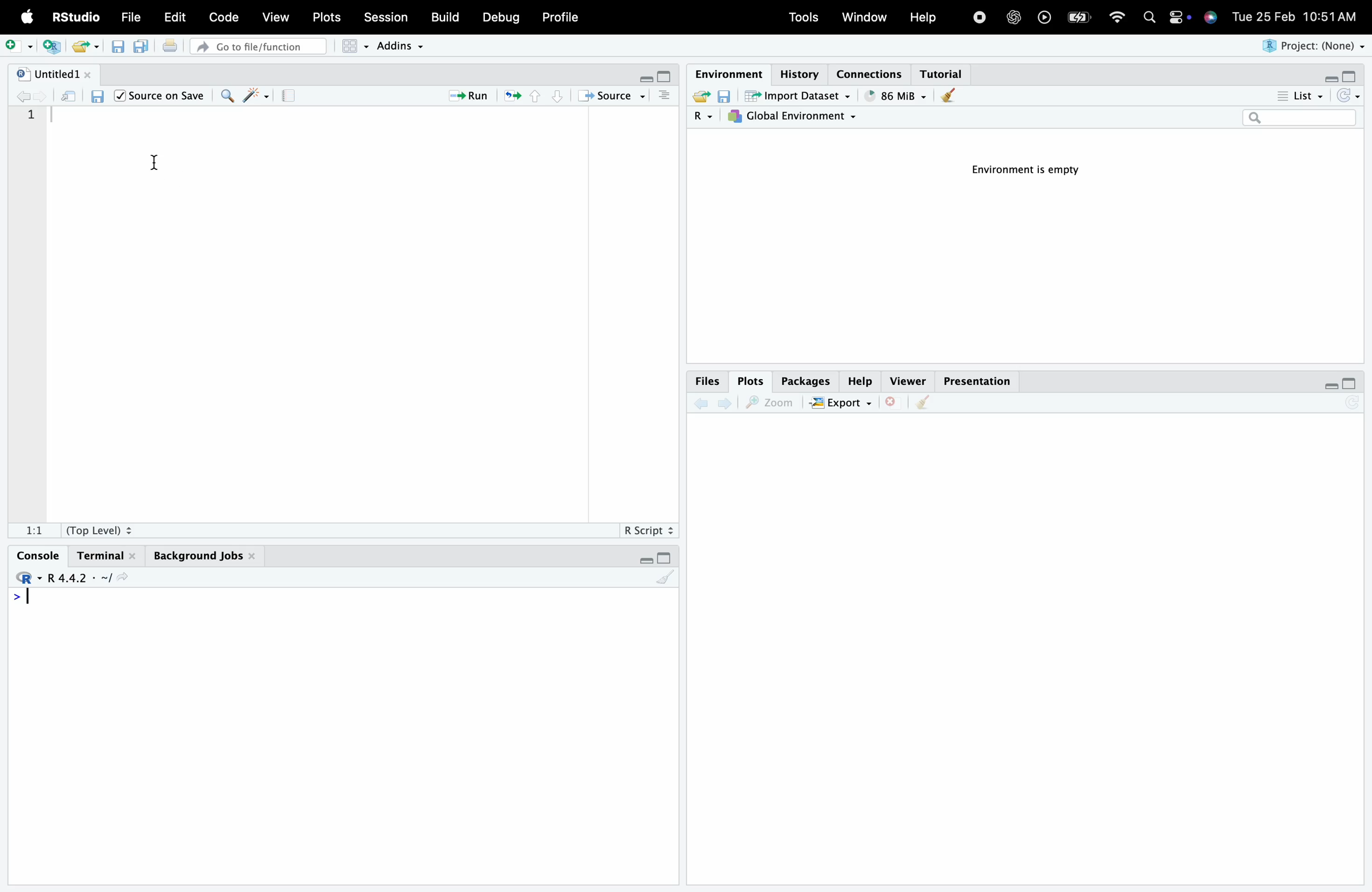 The height and width of the screenshot is (892, 1372). I want to click on Edit, so click(177, 18).